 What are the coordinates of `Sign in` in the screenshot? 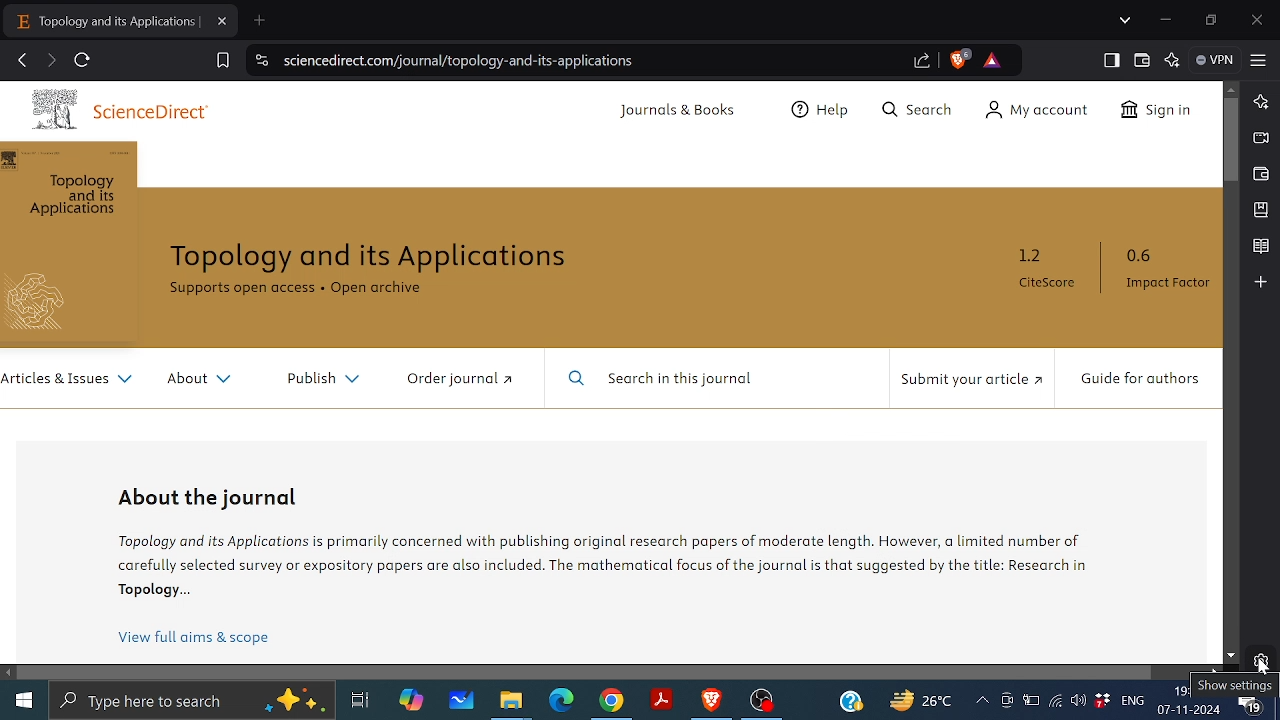 It's located at (1156, 111).